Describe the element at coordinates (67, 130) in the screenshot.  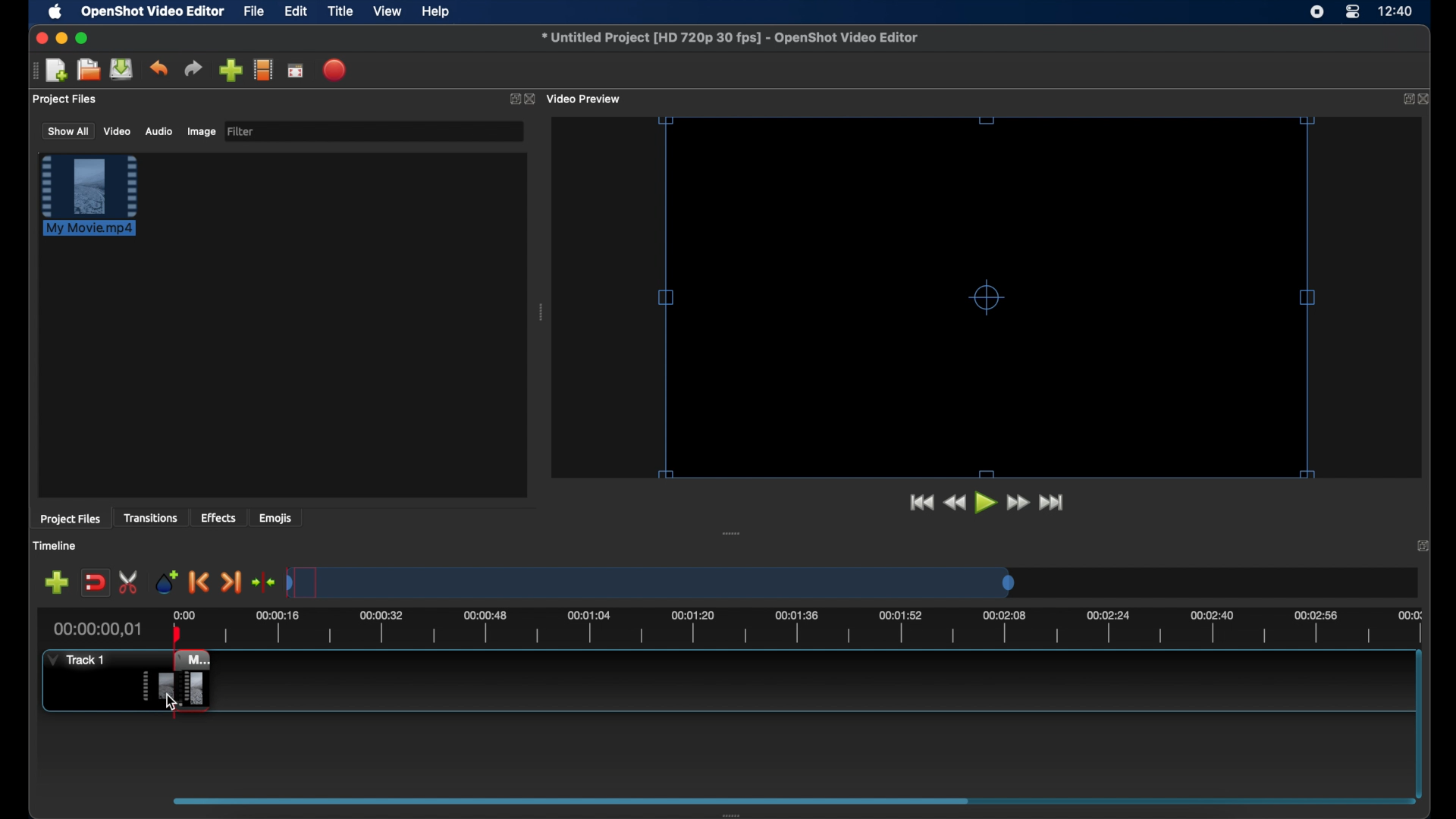
I see `show all` at that location.